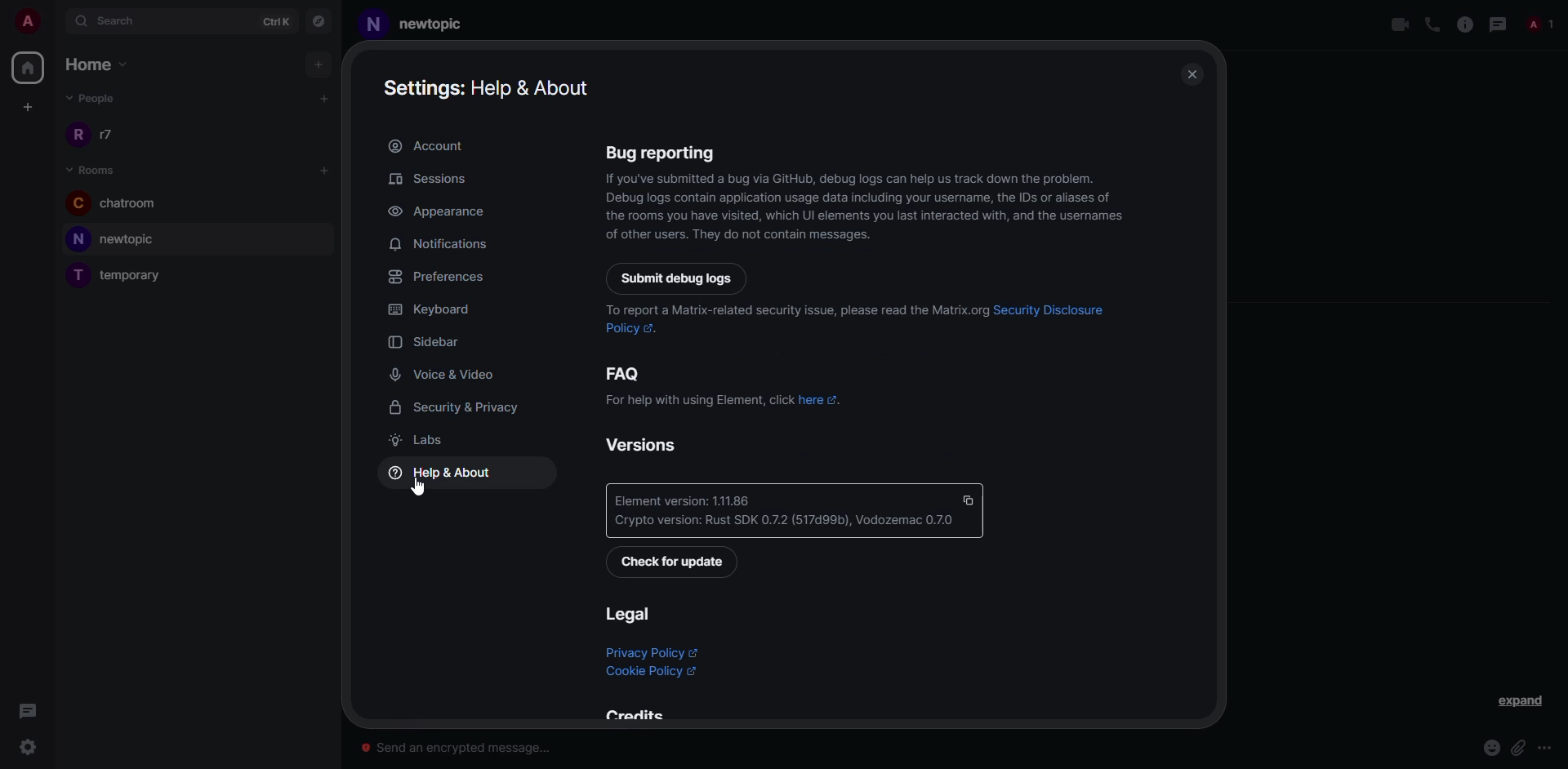  What do you see at coordinates (319, 20) in the screenshot?
I see `navigator` at bounding box center [319, 20].